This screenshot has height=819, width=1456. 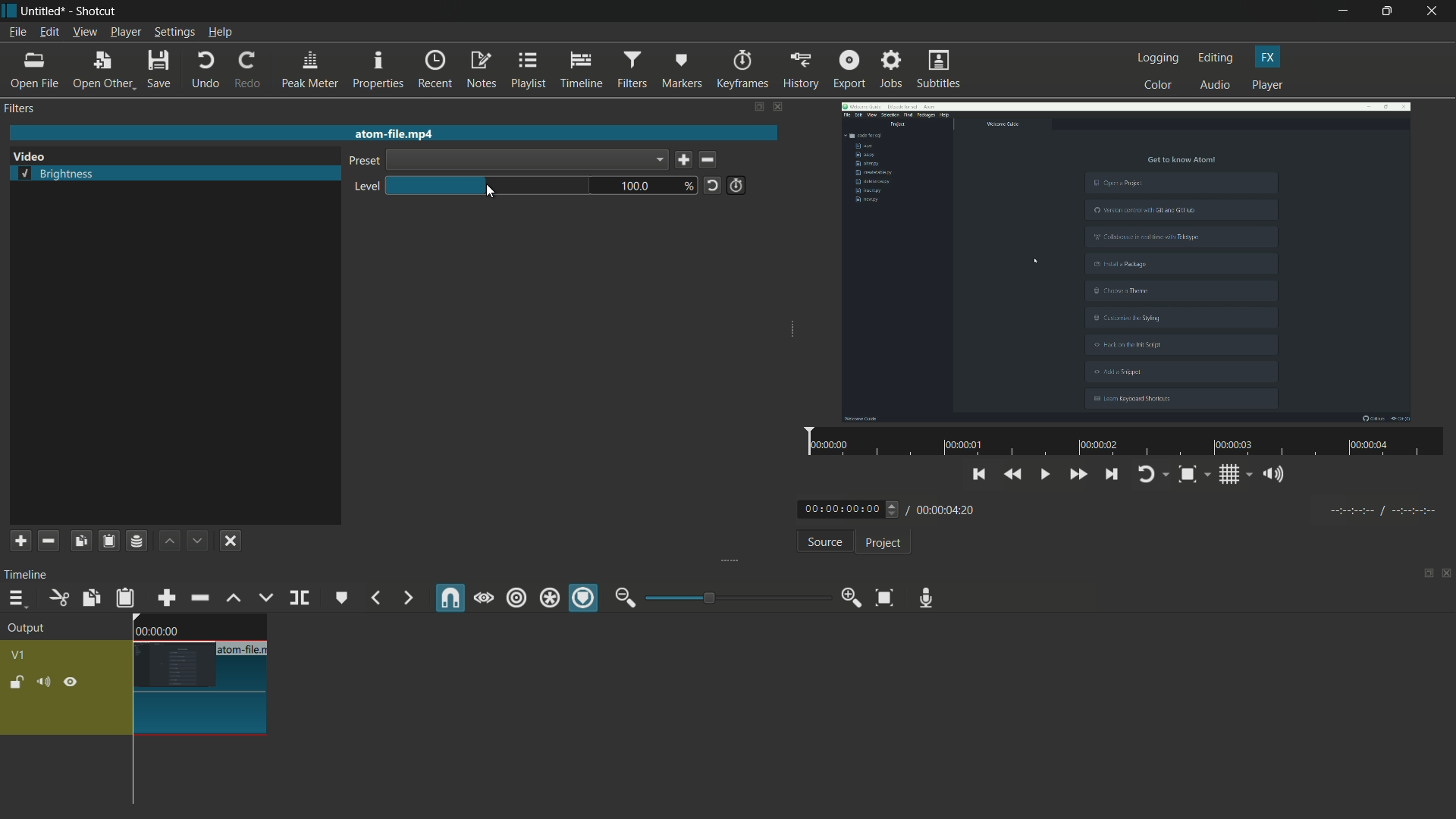 I want to click on file menu, so click(x=17, y=32).